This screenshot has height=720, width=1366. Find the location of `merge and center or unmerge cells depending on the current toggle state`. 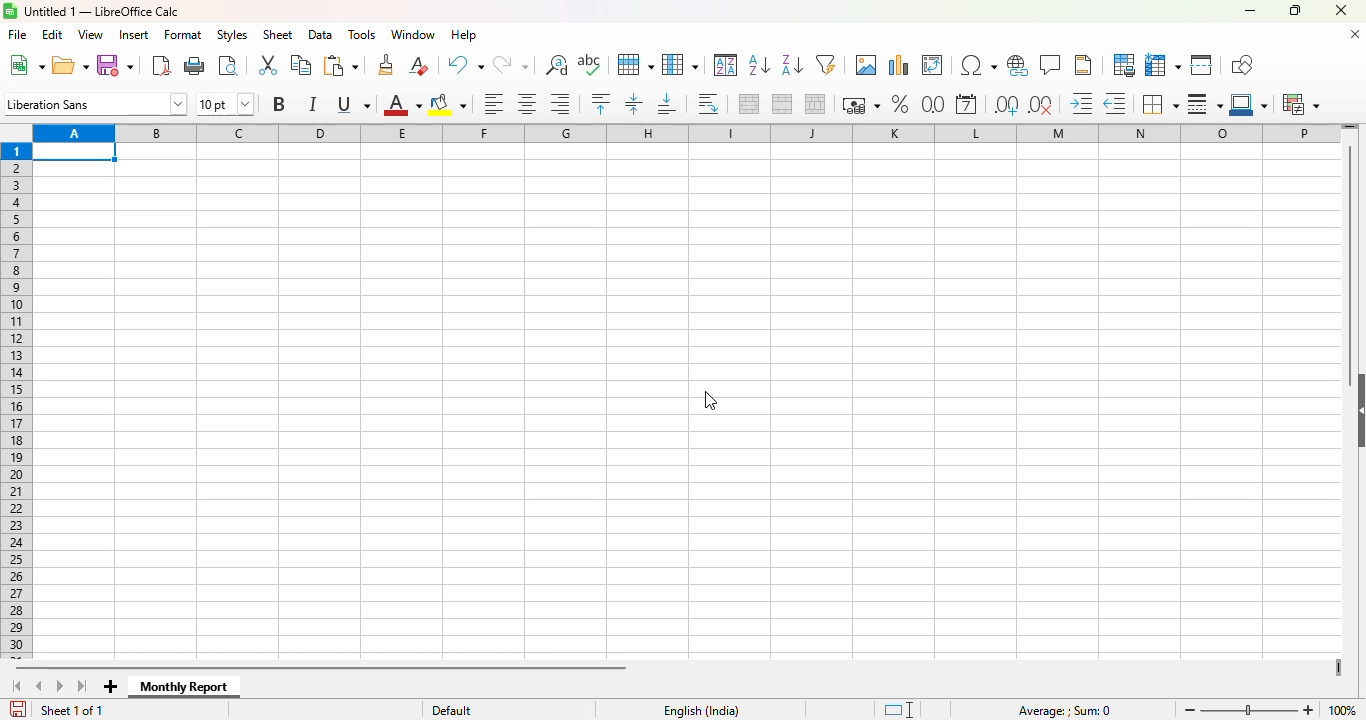

merge and center or unmerge cells depending on the current toggle state is located at coordinates (750, 104).